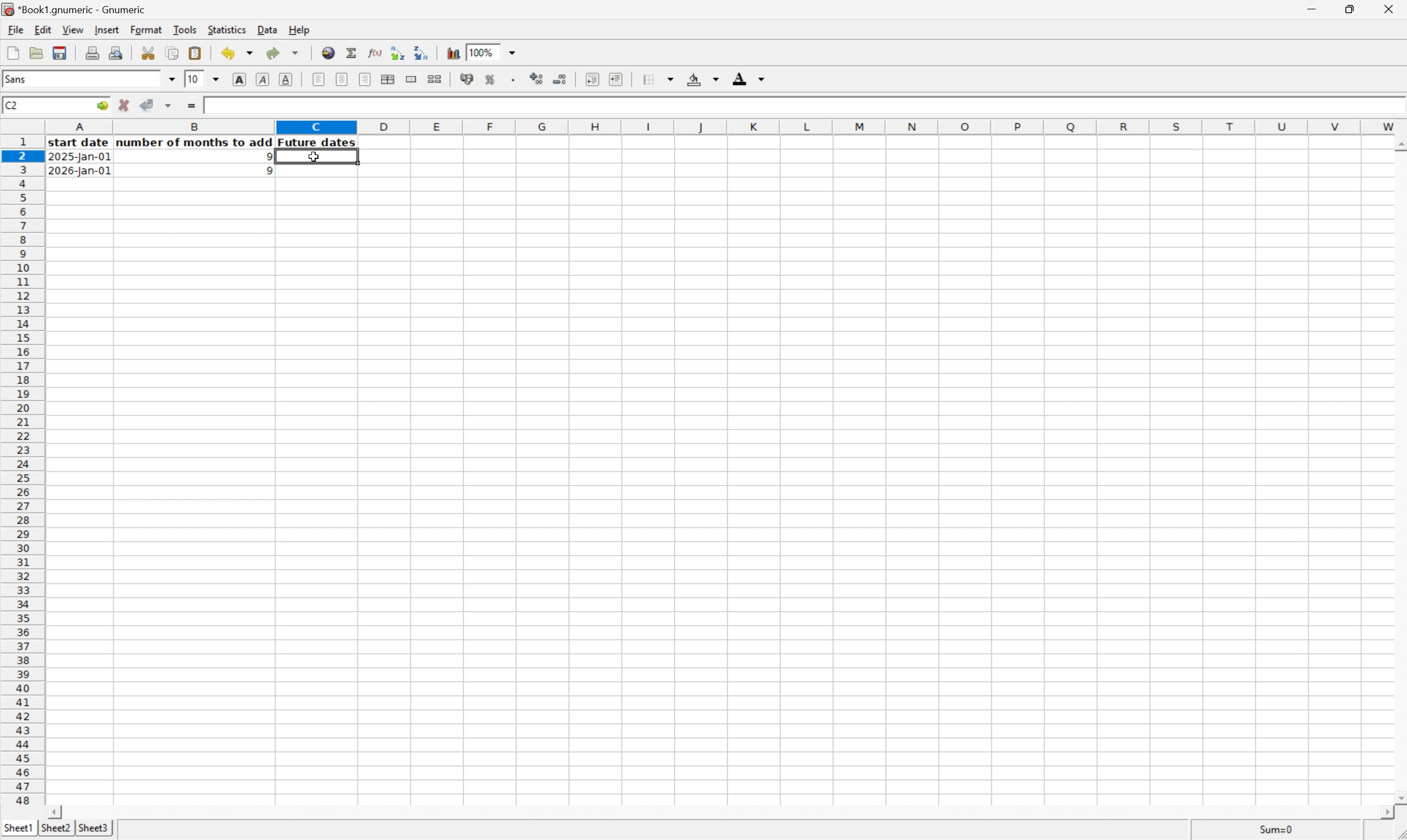 The height and width of the screenshot is (840, 1407). Describe the element at coordinates (94, 53) in the screenshot. I see `Print current file` at that location.